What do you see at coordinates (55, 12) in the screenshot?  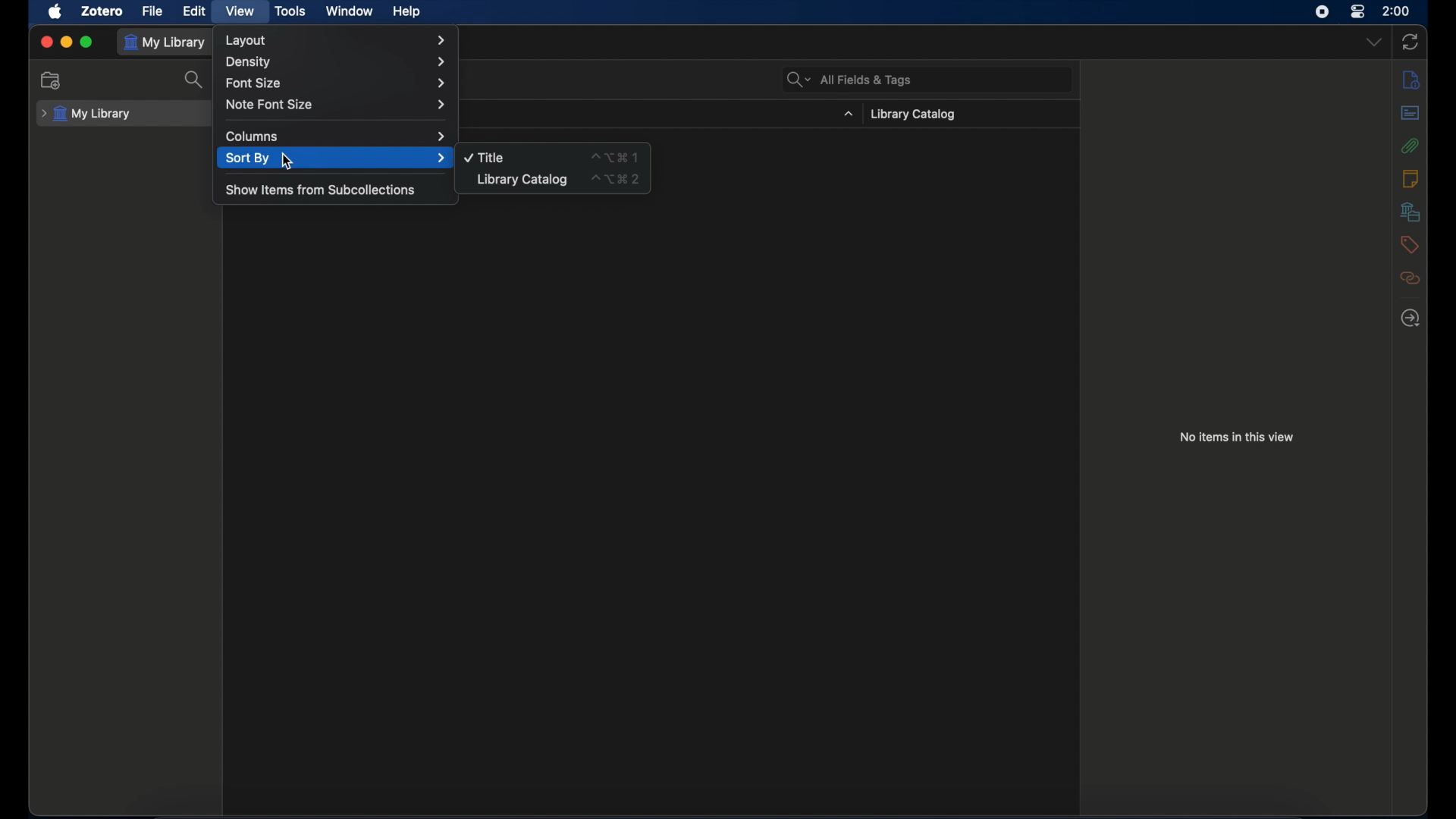 I see `apple` at bounding box center [55, 12].